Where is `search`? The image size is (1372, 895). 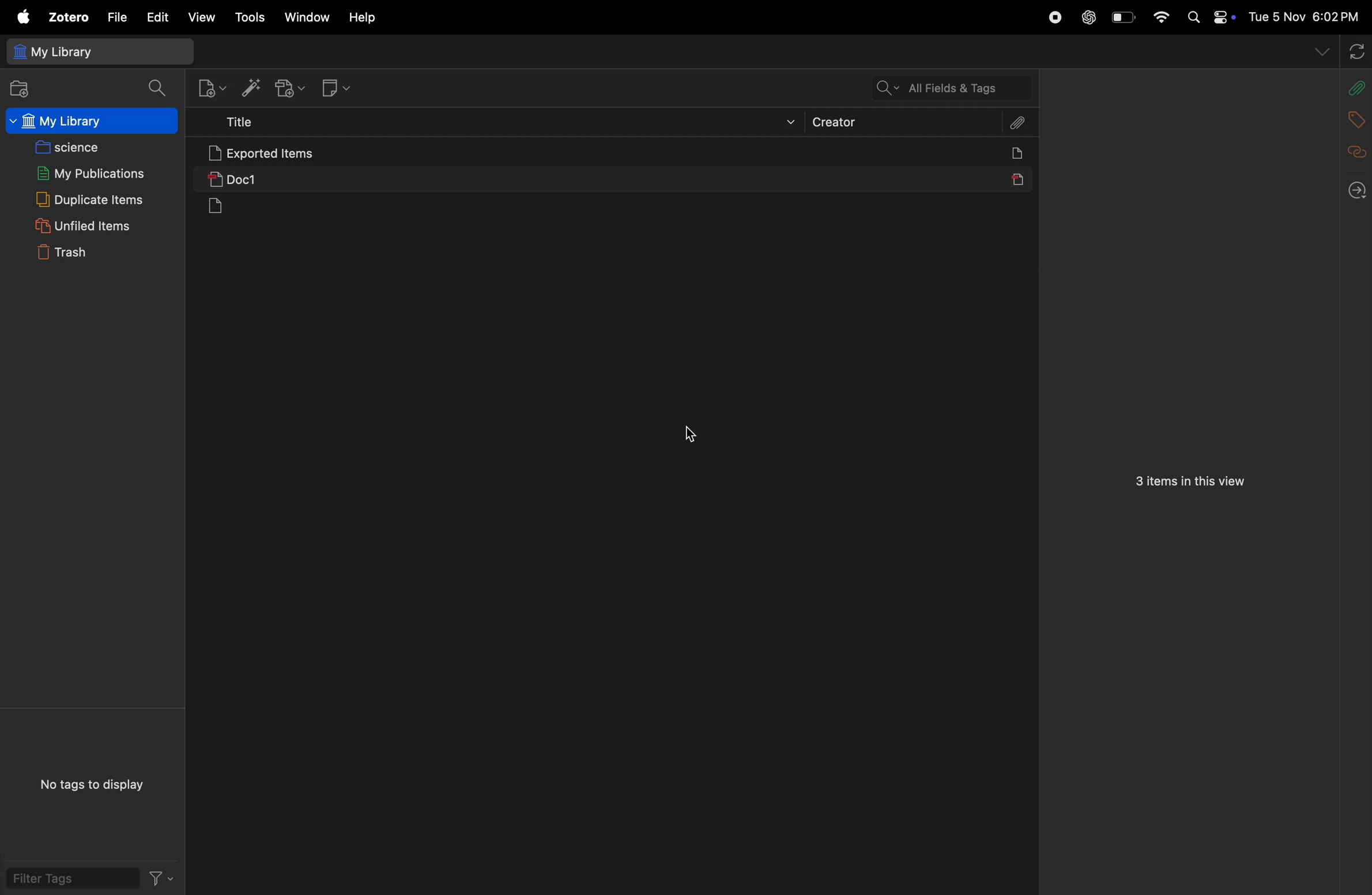
search is located at coordinates (154, 90).